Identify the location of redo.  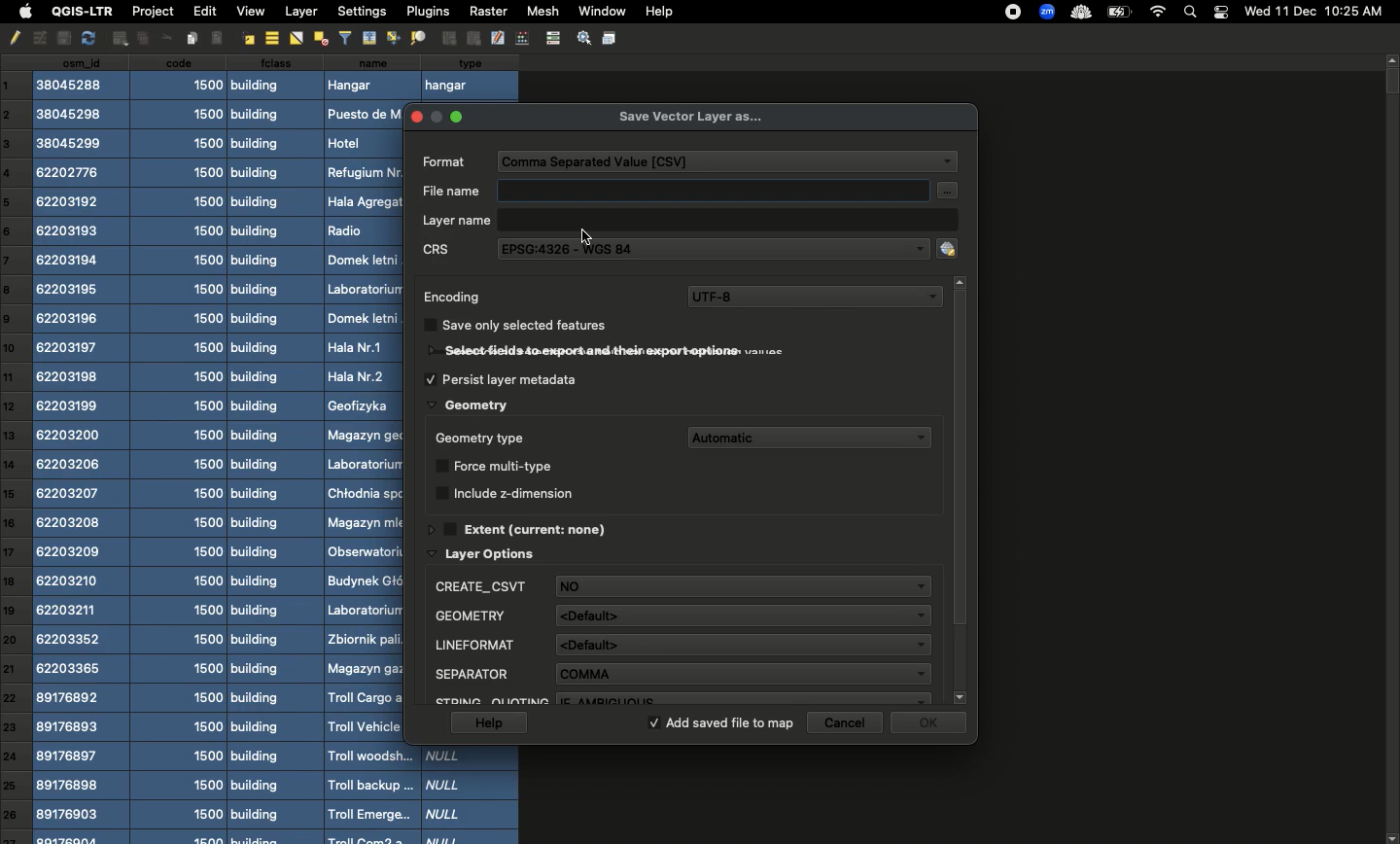
(87, 38).